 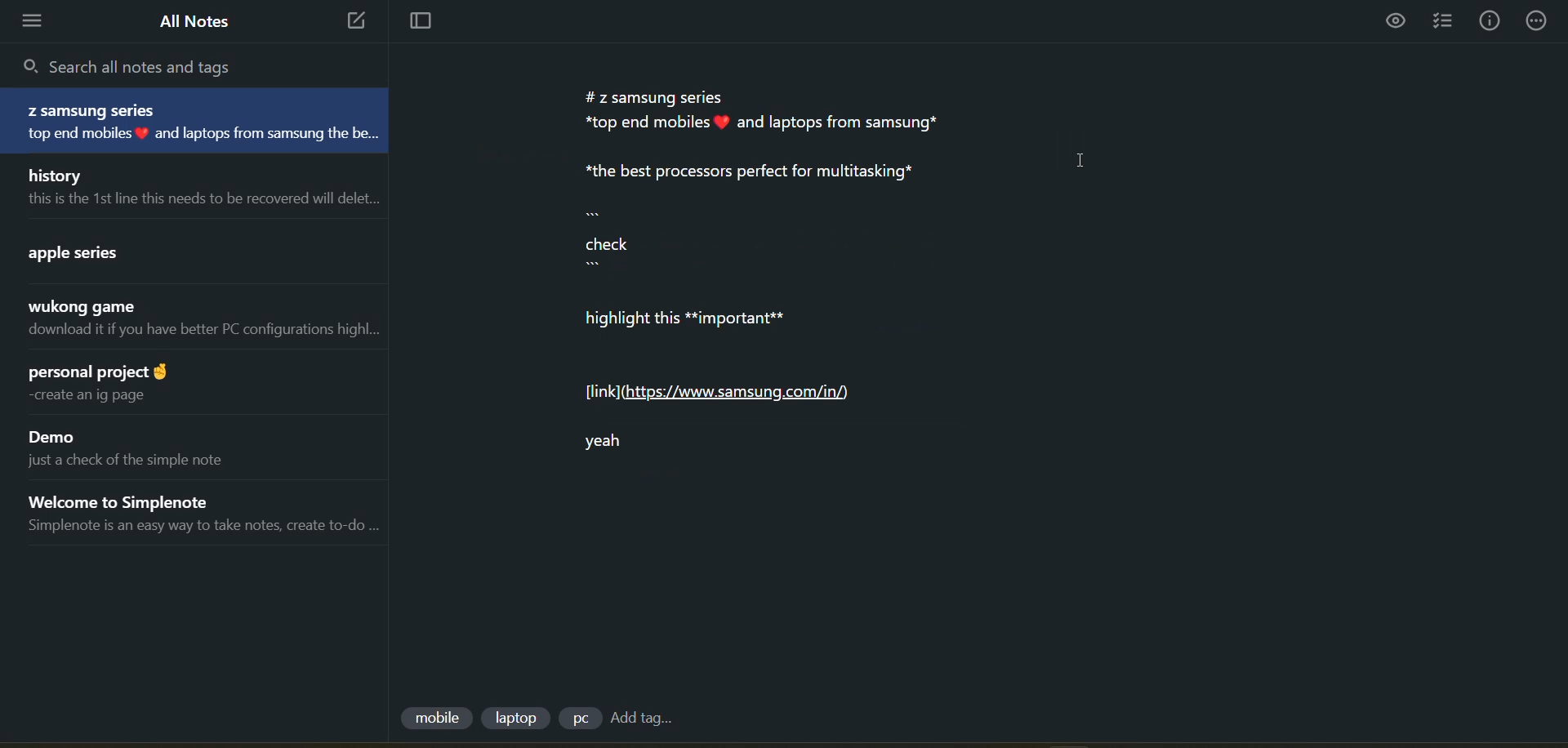 What do you see at coordinates (196, 514) in the screenshot?
I see `note title and preview` at bounding box center [196, 514].